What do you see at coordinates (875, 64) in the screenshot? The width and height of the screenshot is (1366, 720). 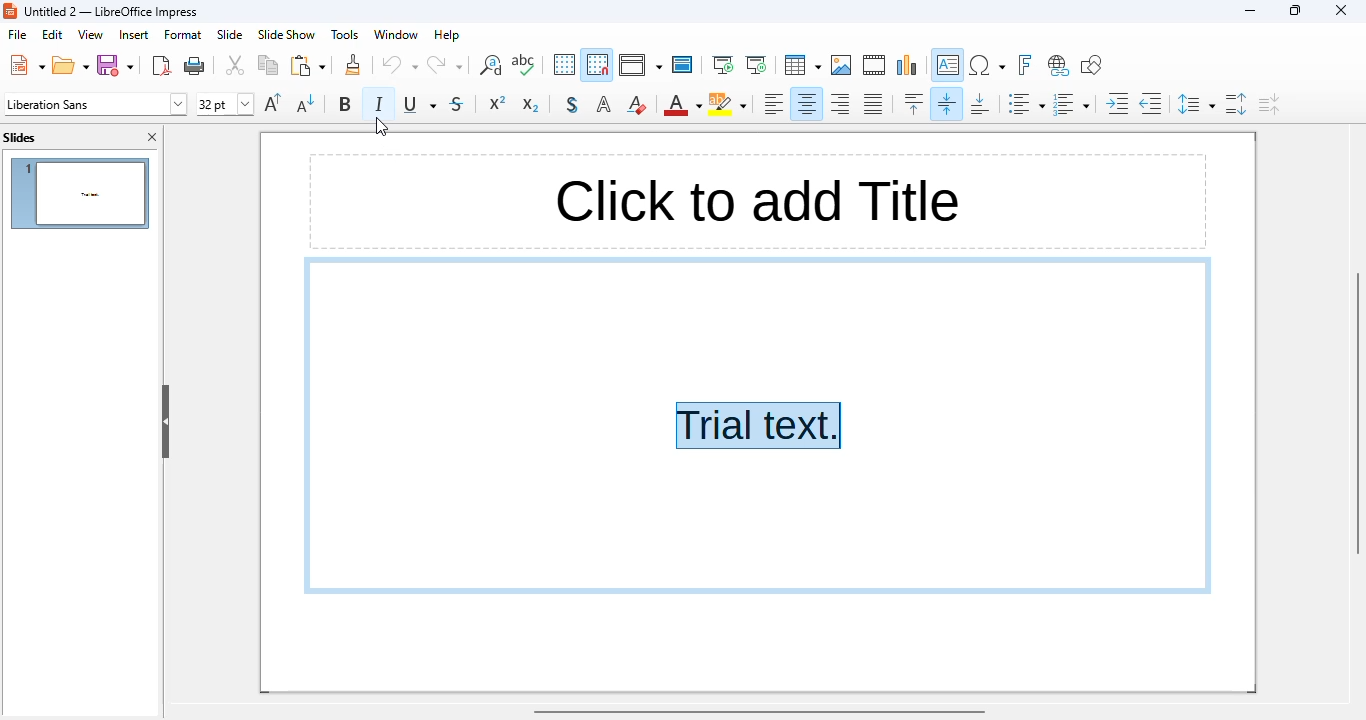 I see `insert audio or video` at bounding box center [875, 64].